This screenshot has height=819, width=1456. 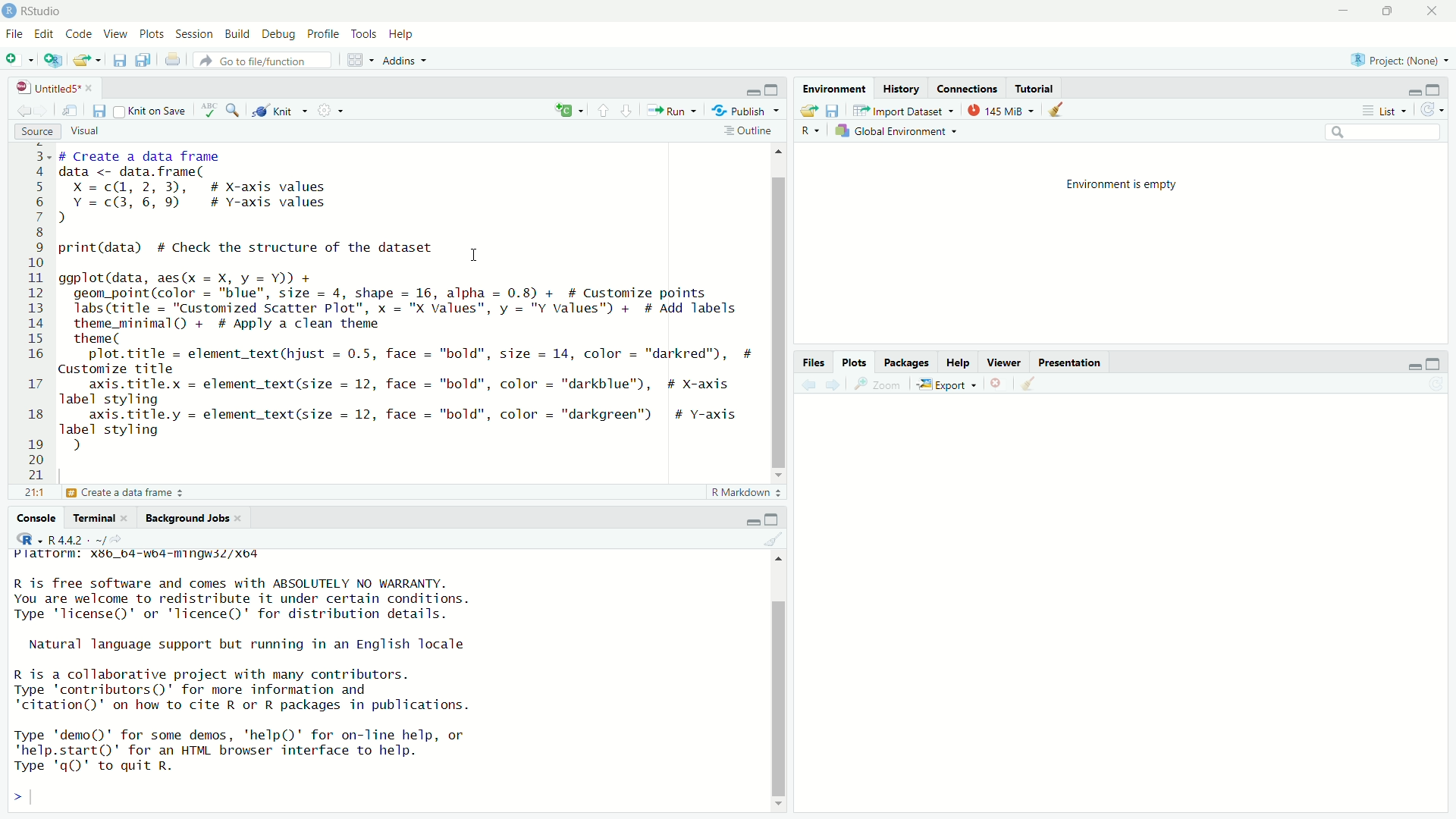 What do you see at coordinates (772, 89) in the screenshot?
I see `Maximize` at bounding box center [772, 89].